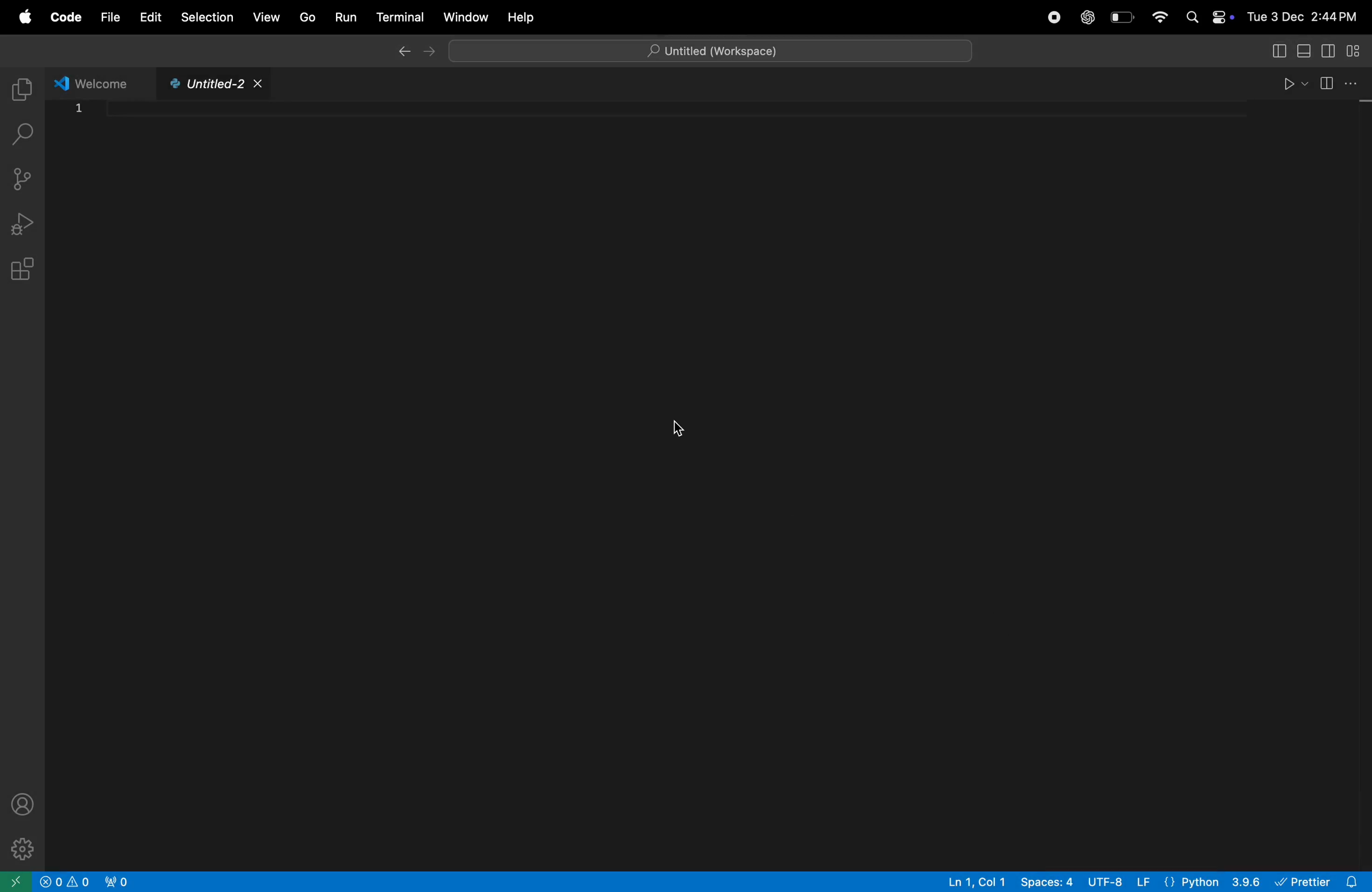 The image size is (1372, 892). I want to click on utf 8, so click(1121, 882).